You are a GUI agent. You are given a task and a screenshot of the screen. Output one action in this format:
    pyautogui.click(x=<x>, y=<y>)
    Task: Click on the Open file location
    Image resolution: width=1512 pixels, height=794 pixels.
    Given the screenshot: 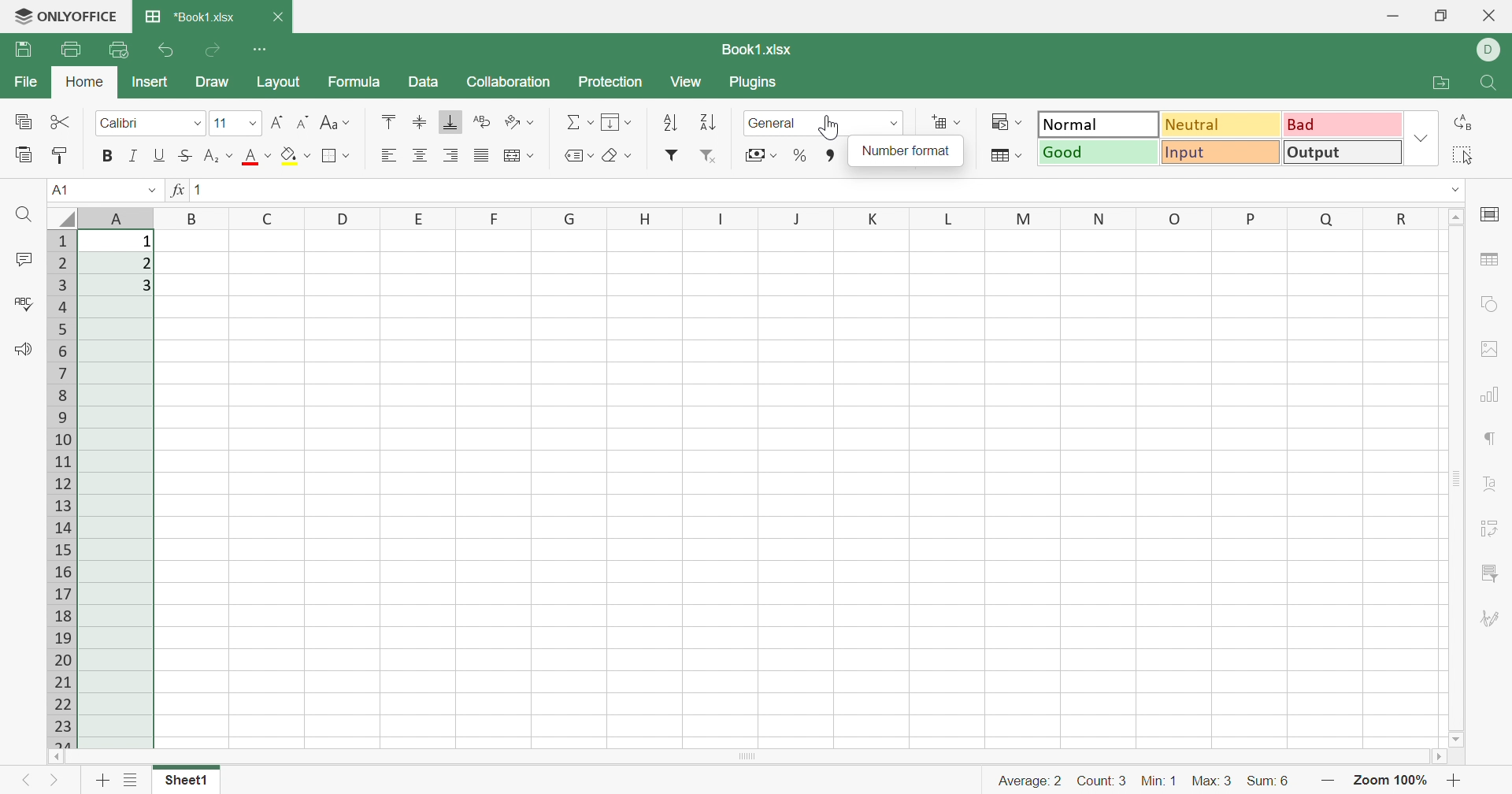 What is the action you would take?
    pyautogui.click(x=1441, y=82)
    